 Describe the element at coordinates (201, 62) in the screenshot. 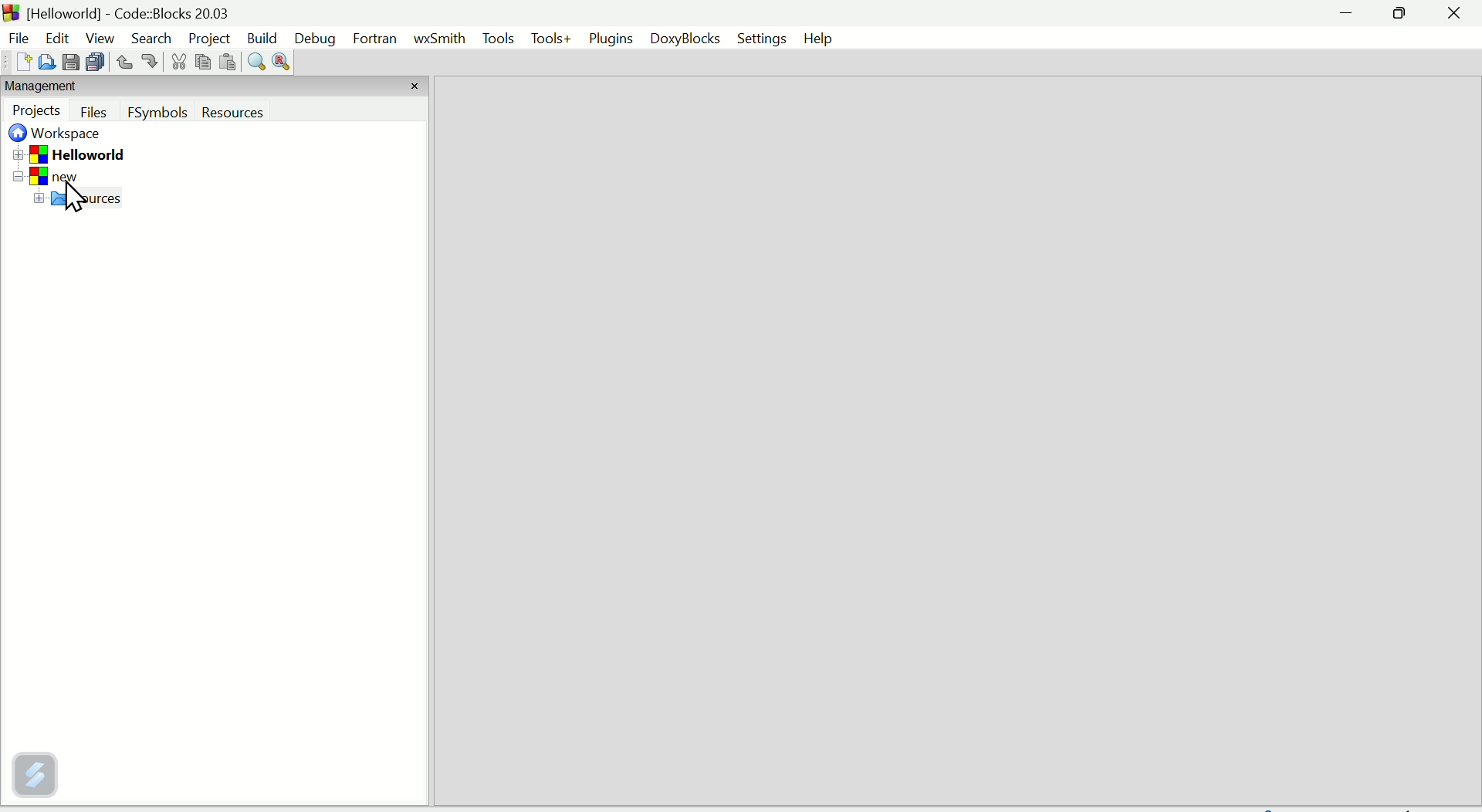

I see `Copy` at that location.